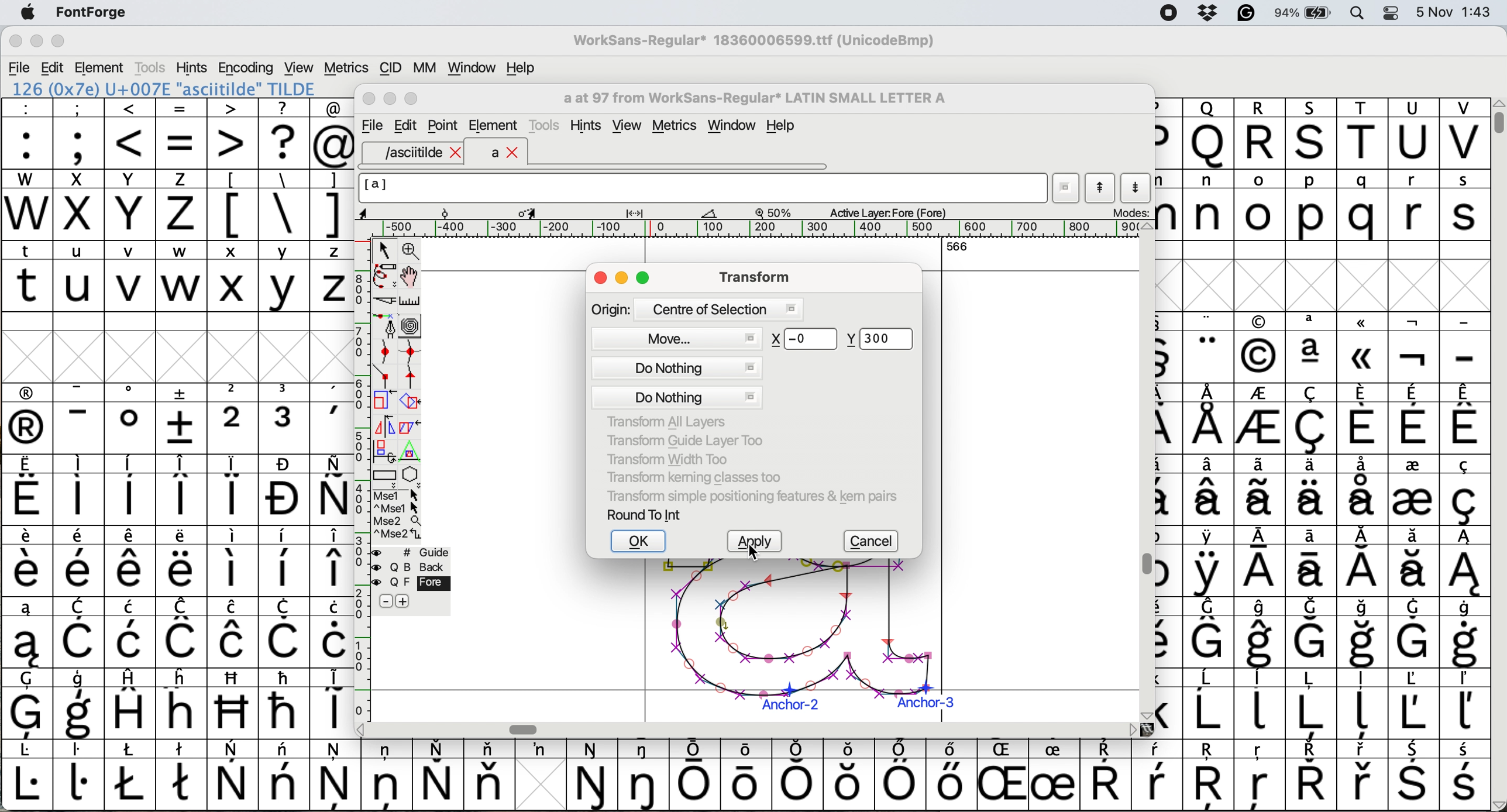  I want to click on skew selection, so click(413, 429).